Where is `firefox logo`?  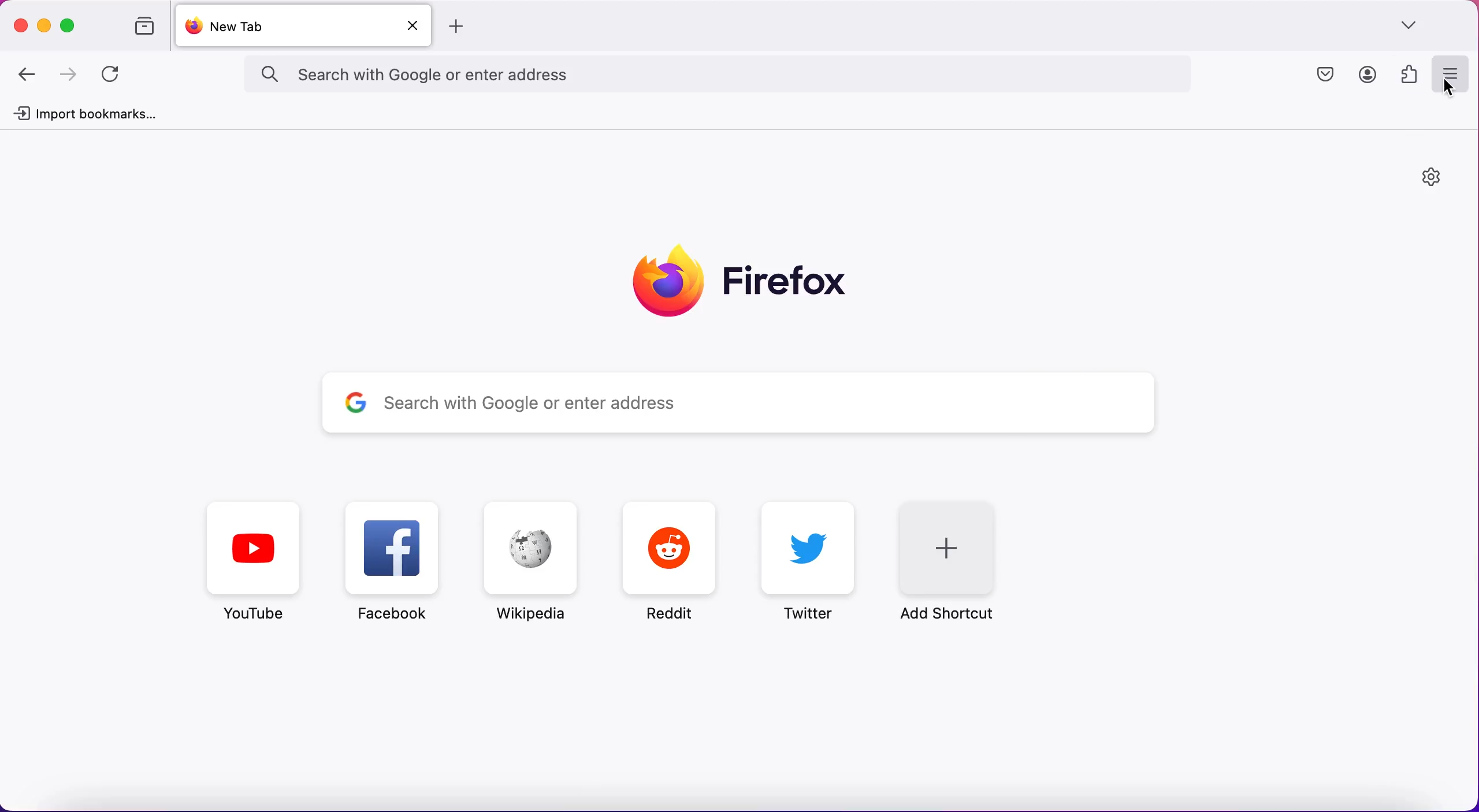 firefox logo is located at coordinates (742, 279).